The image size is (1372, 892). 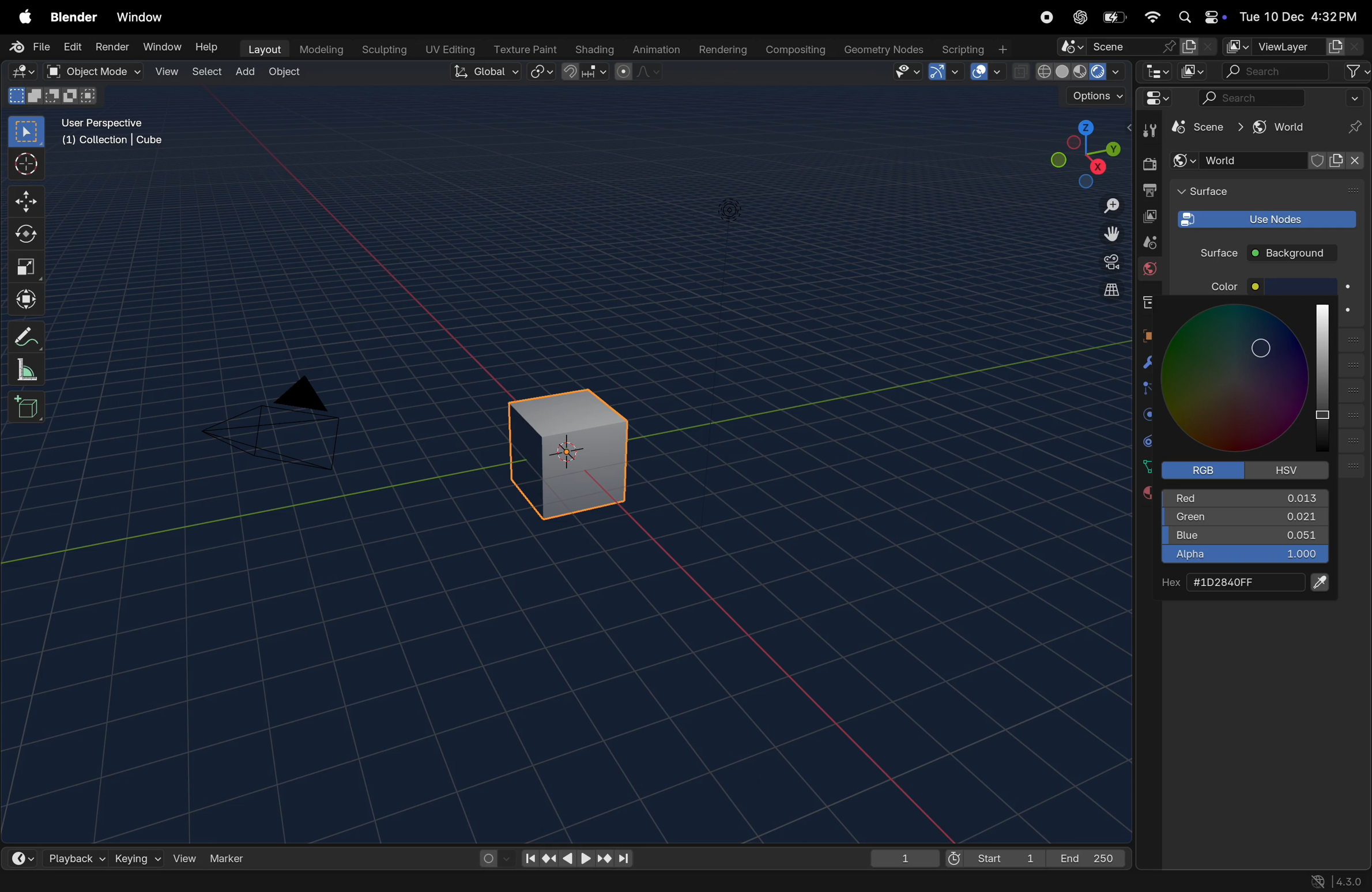 What do you see at coordinates (287, 73) in the screenshot?
I see `Object` at bounding box center [287, 73].